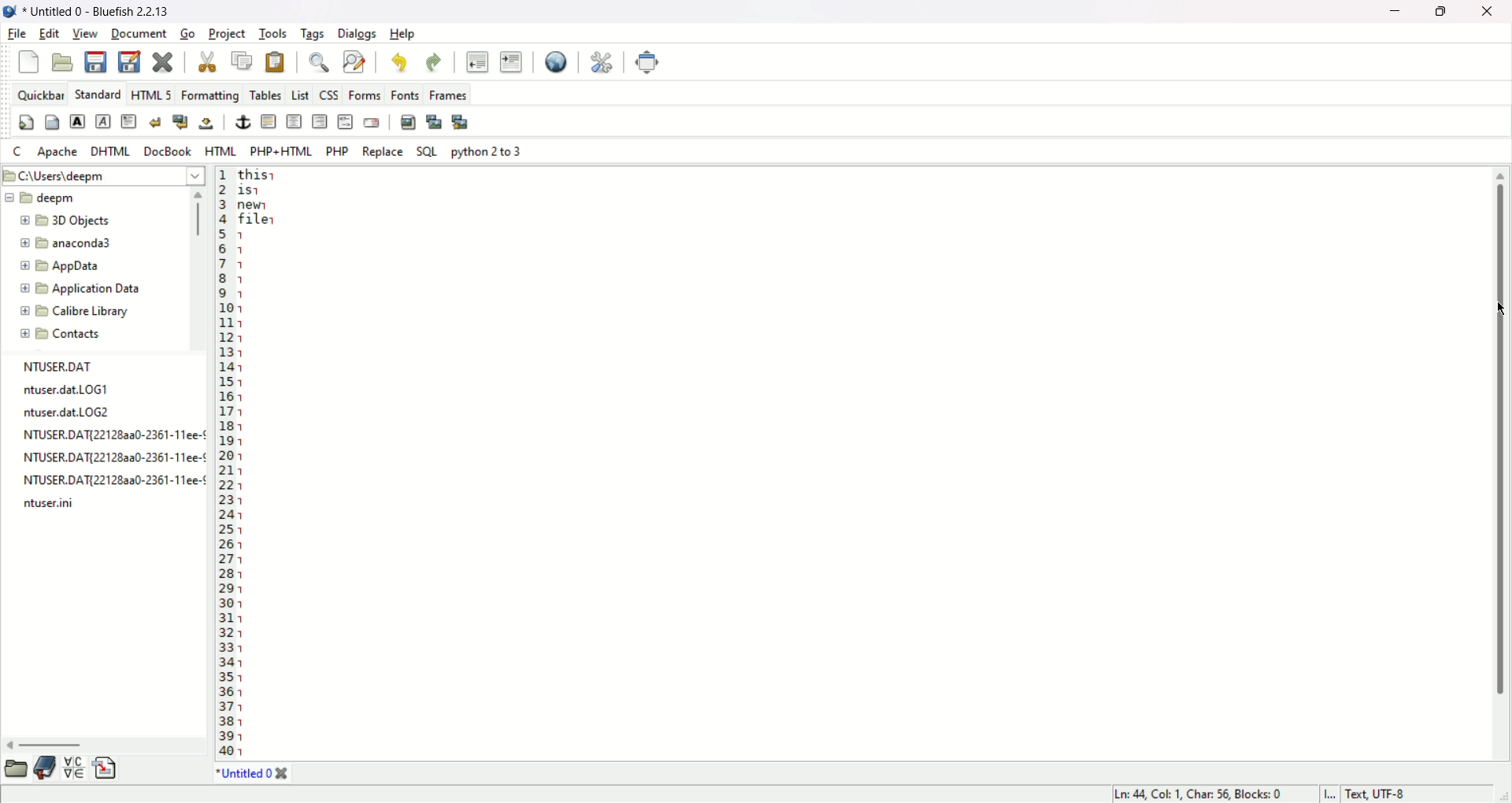 This screenshot has width=1512, height=803. Describe the element at coordinates (180, 122) in the screenshot. I see `break and clear` at that location.